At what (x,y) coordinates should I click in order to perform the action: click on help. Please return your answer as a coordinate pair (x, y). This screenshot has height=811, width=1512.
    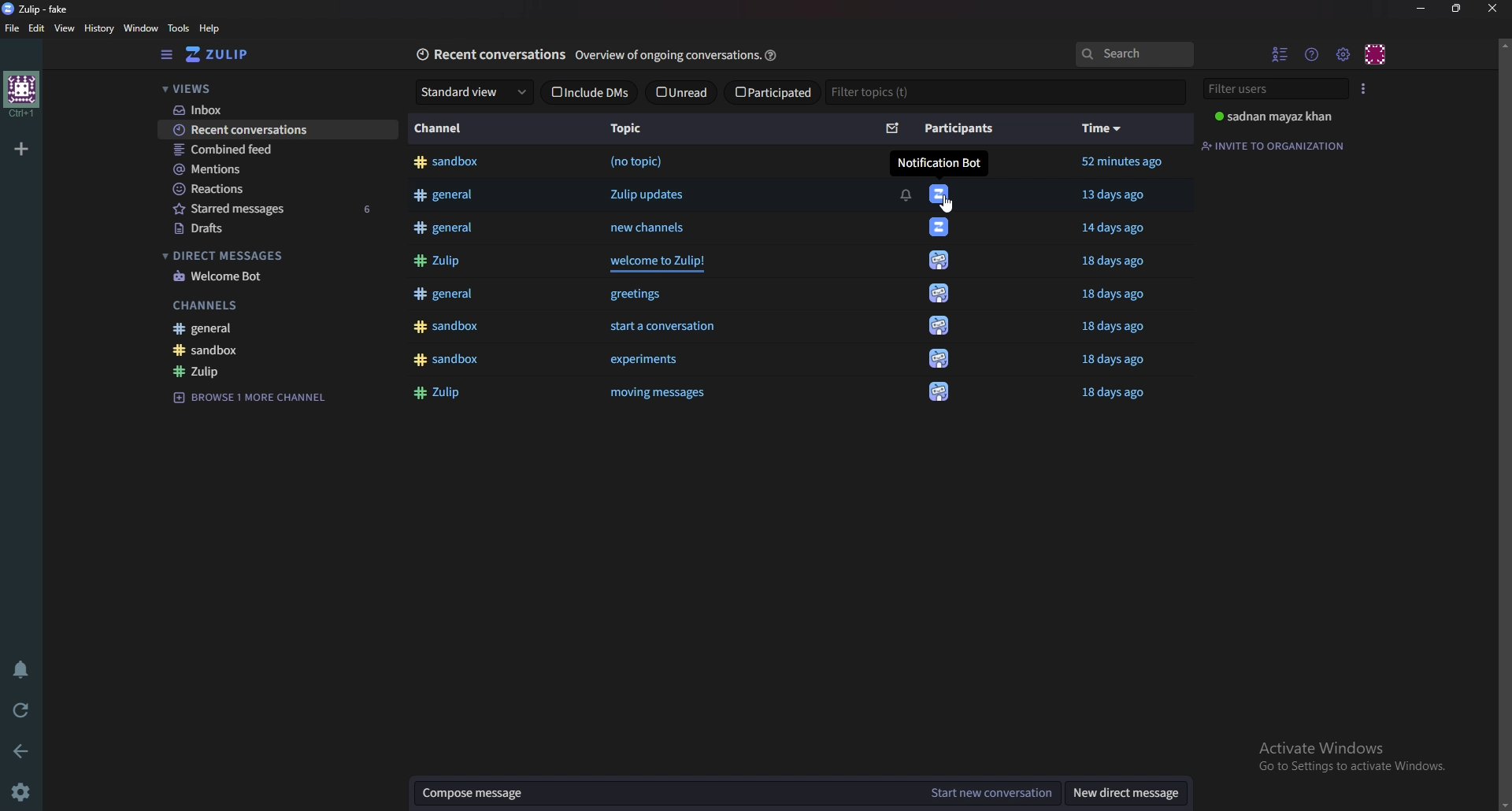
    Looking at the image, I should click on (773, 54).